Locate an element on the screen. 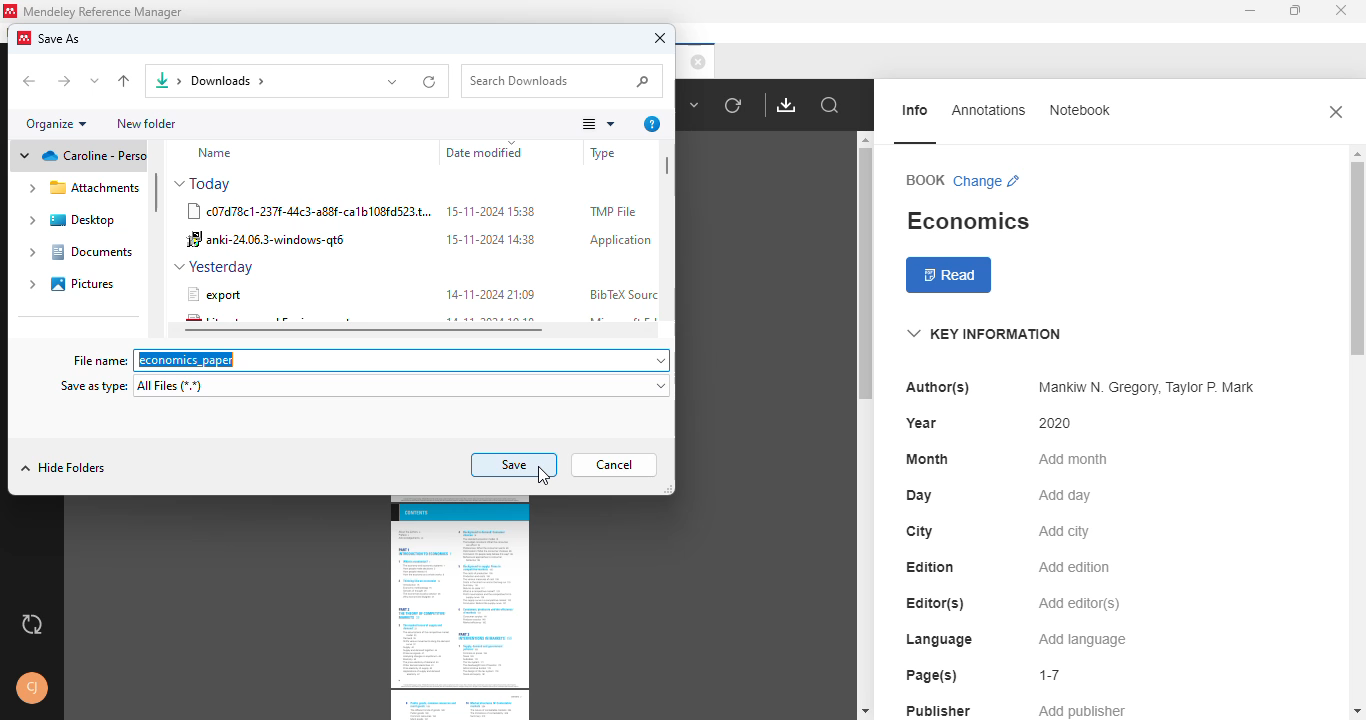 This screenshot has width=1366, height=720. download is located at coordinates (787, 104).